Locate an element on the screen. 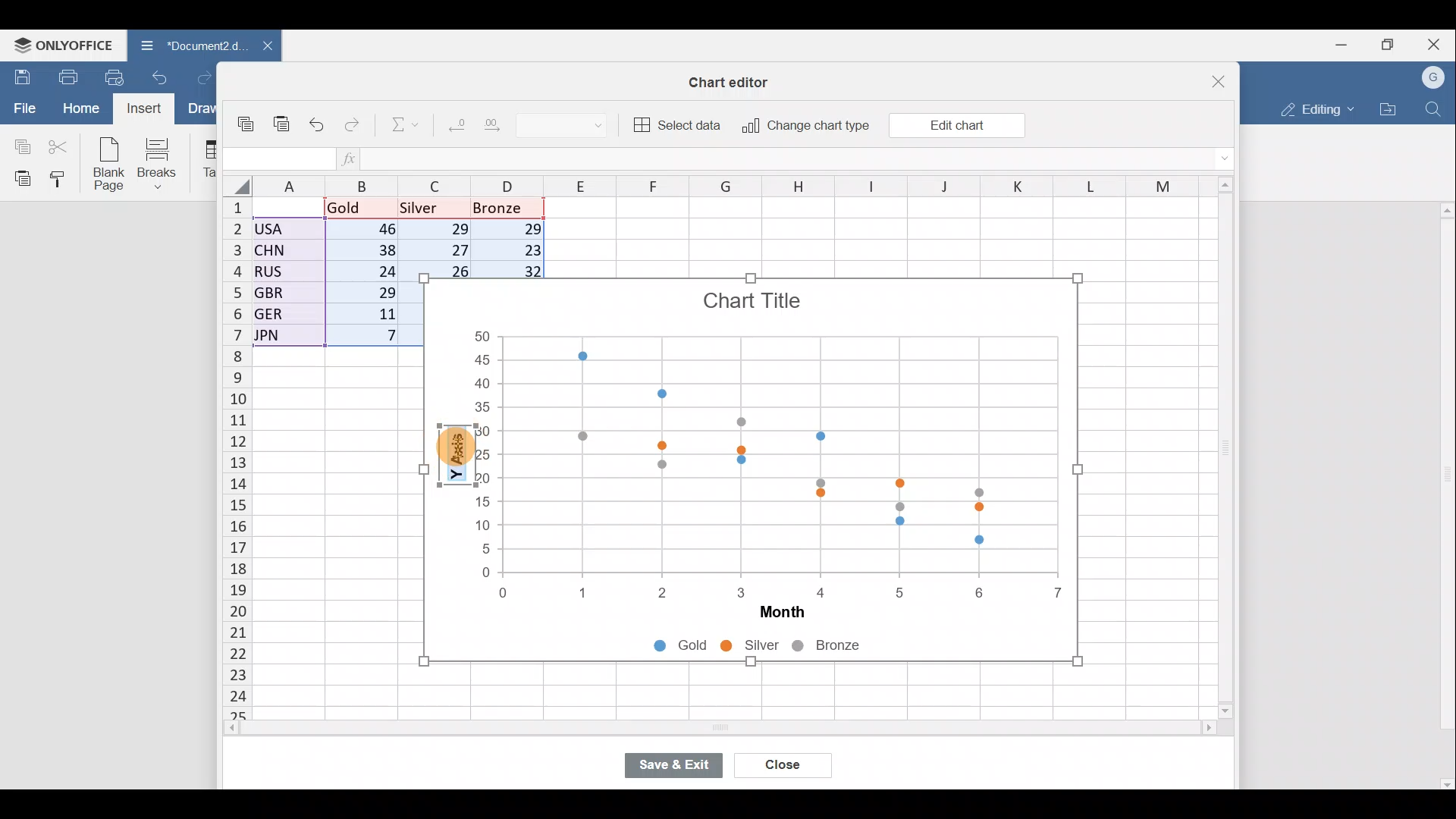  Change chart type is located at coordinates (805, 126).